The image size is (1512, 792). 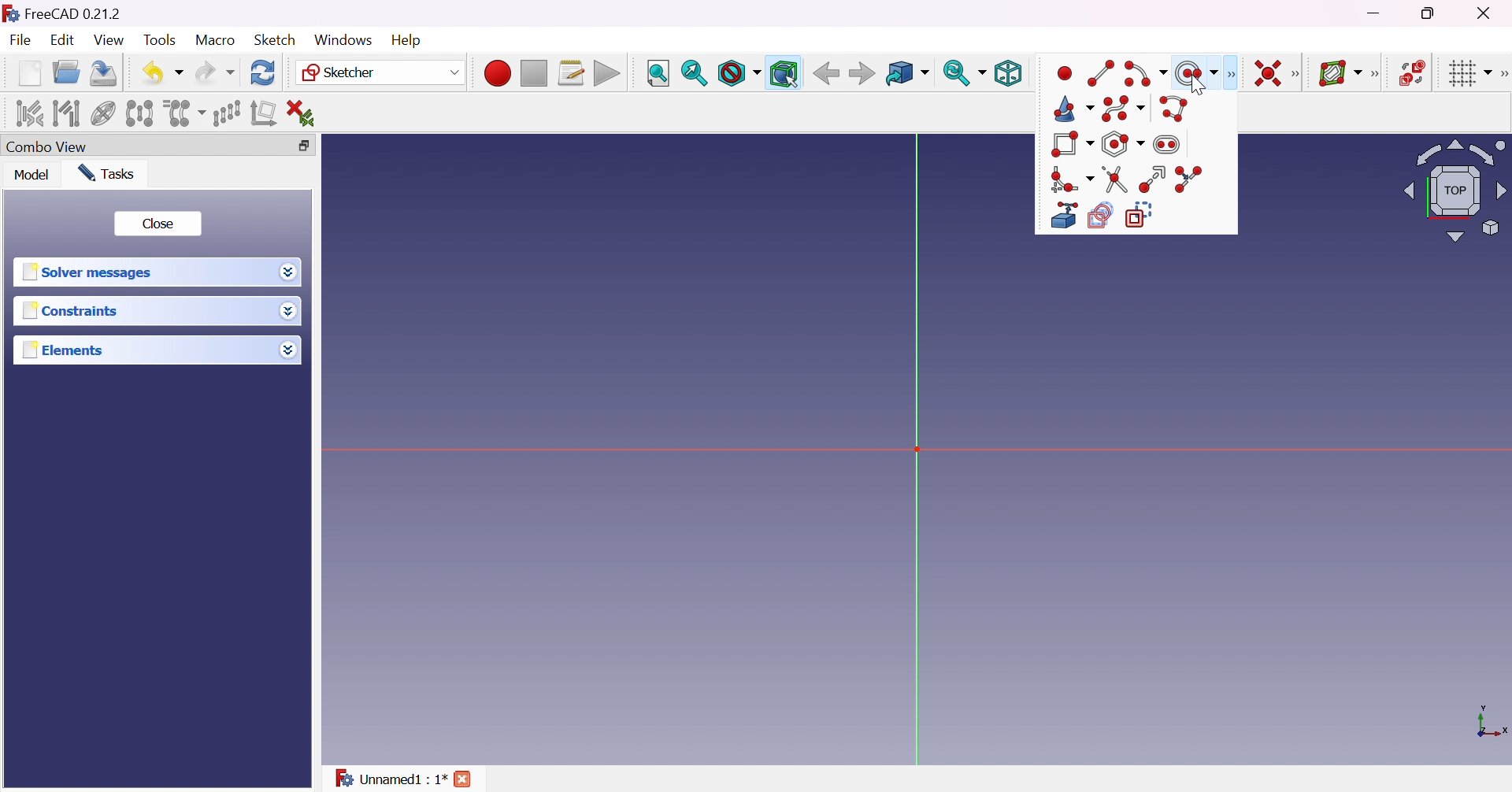 What do you see at coordinates (1415, 72) in the screenshot?
I see `Switch virtual space` at bounding box center [1415, 72].